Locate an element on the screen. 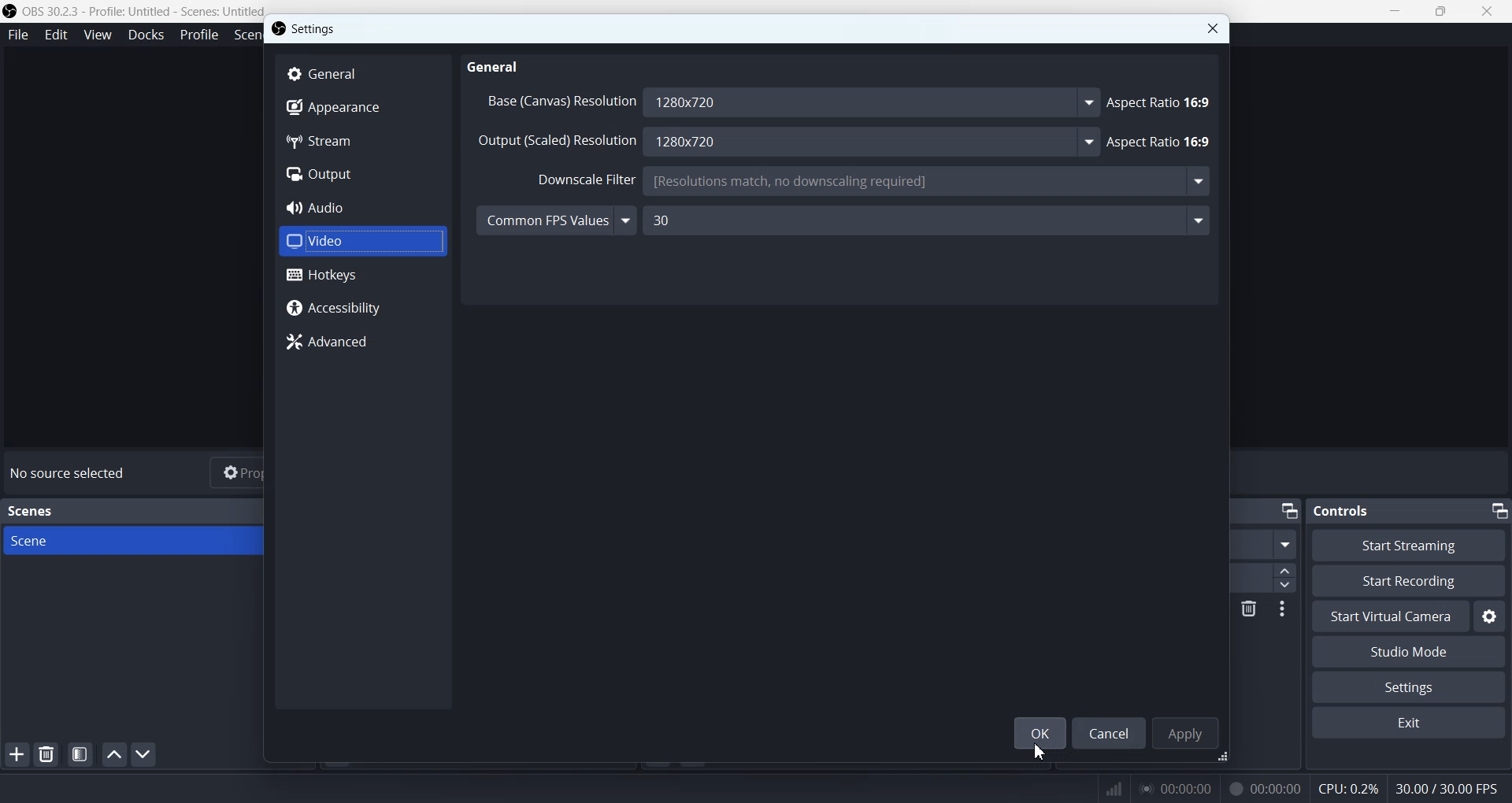 This screenshot has width=1512, height=803. Scene  is located at coordinates (132, 539).